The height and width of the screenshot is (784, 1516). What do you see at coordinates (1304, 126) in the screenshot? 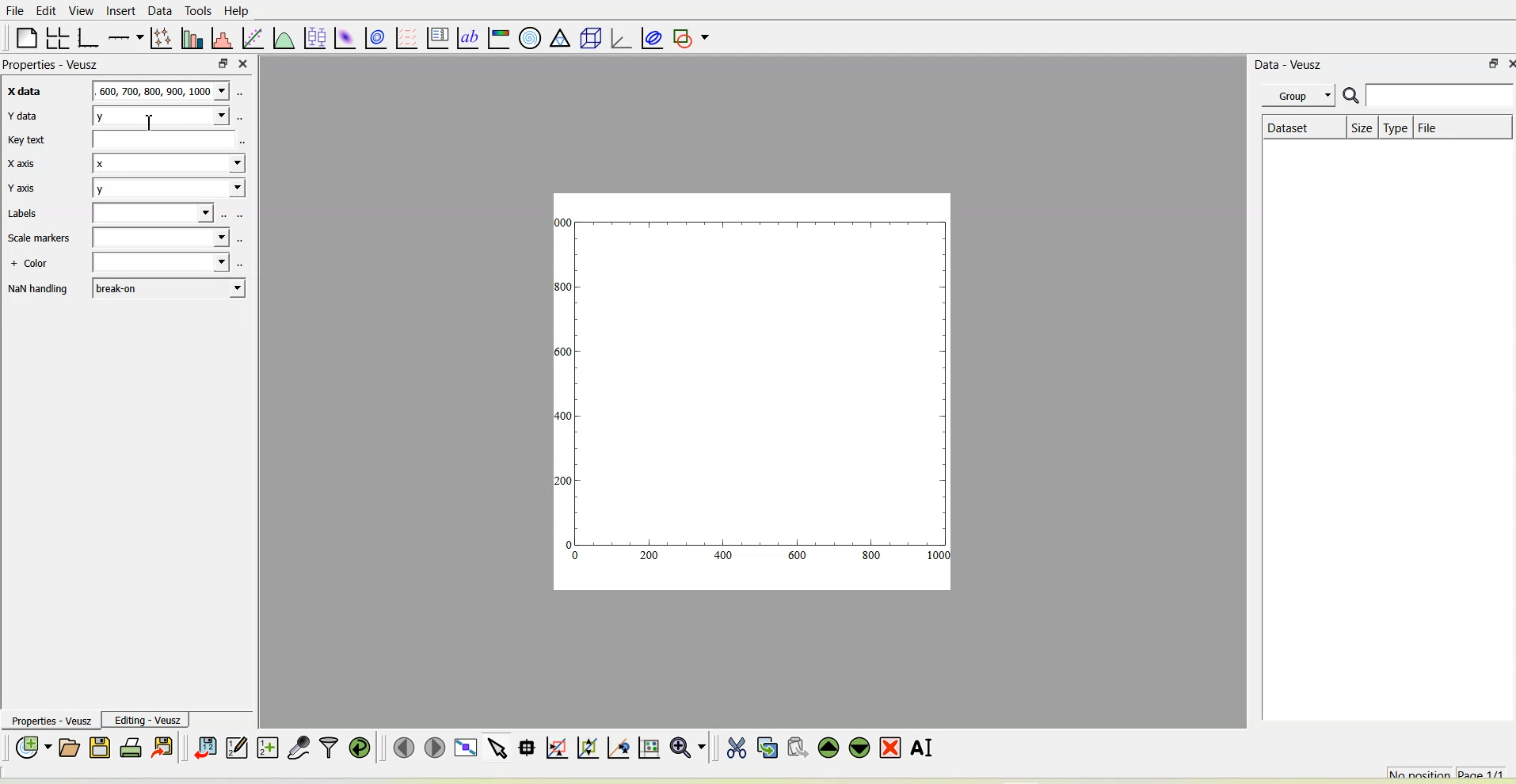
I see `Dataset` at bounding box center [1304, 126].